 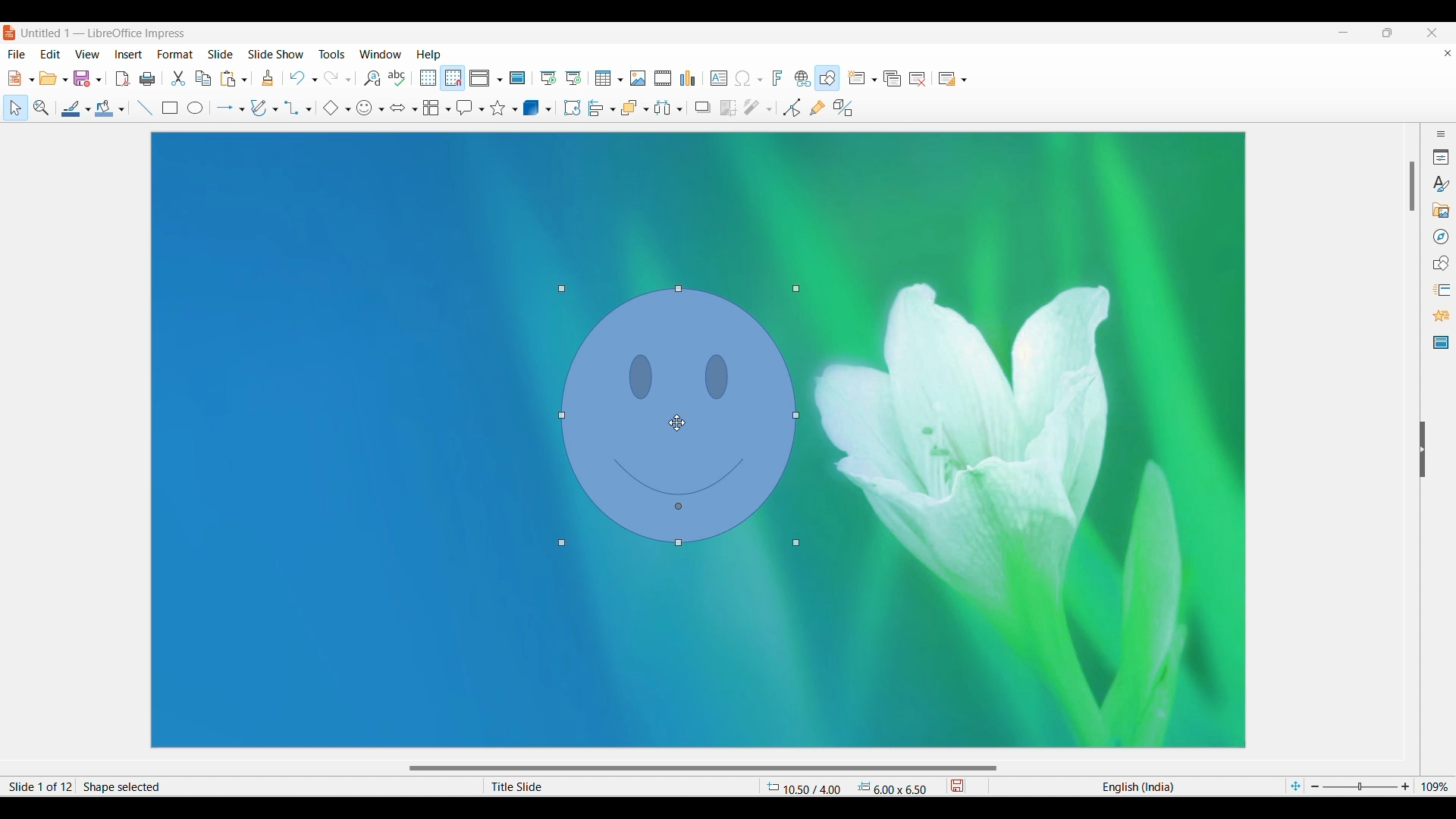 I want to click on Fill color selected, so click(x=105, y=108).